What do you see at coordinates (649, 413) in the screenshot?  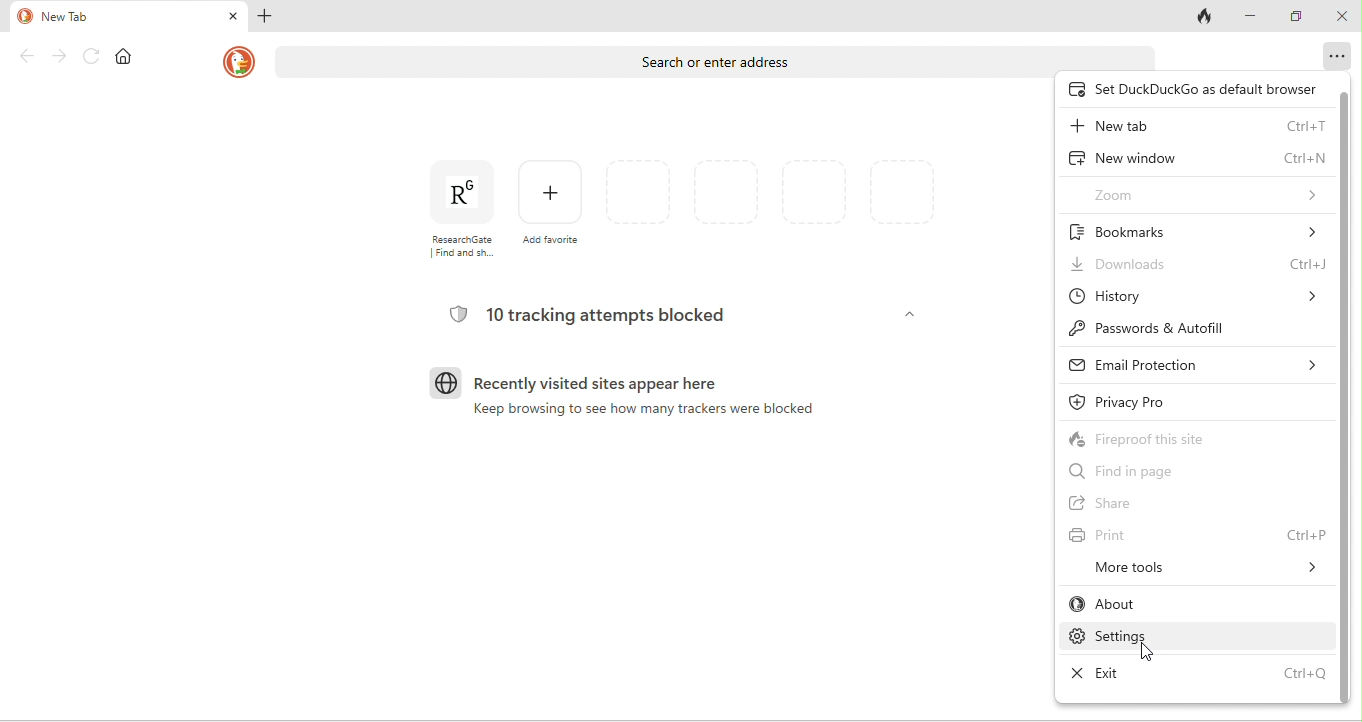 I see `keep browsing to see how many trackers were blocked` at bounding box center [649, 413].